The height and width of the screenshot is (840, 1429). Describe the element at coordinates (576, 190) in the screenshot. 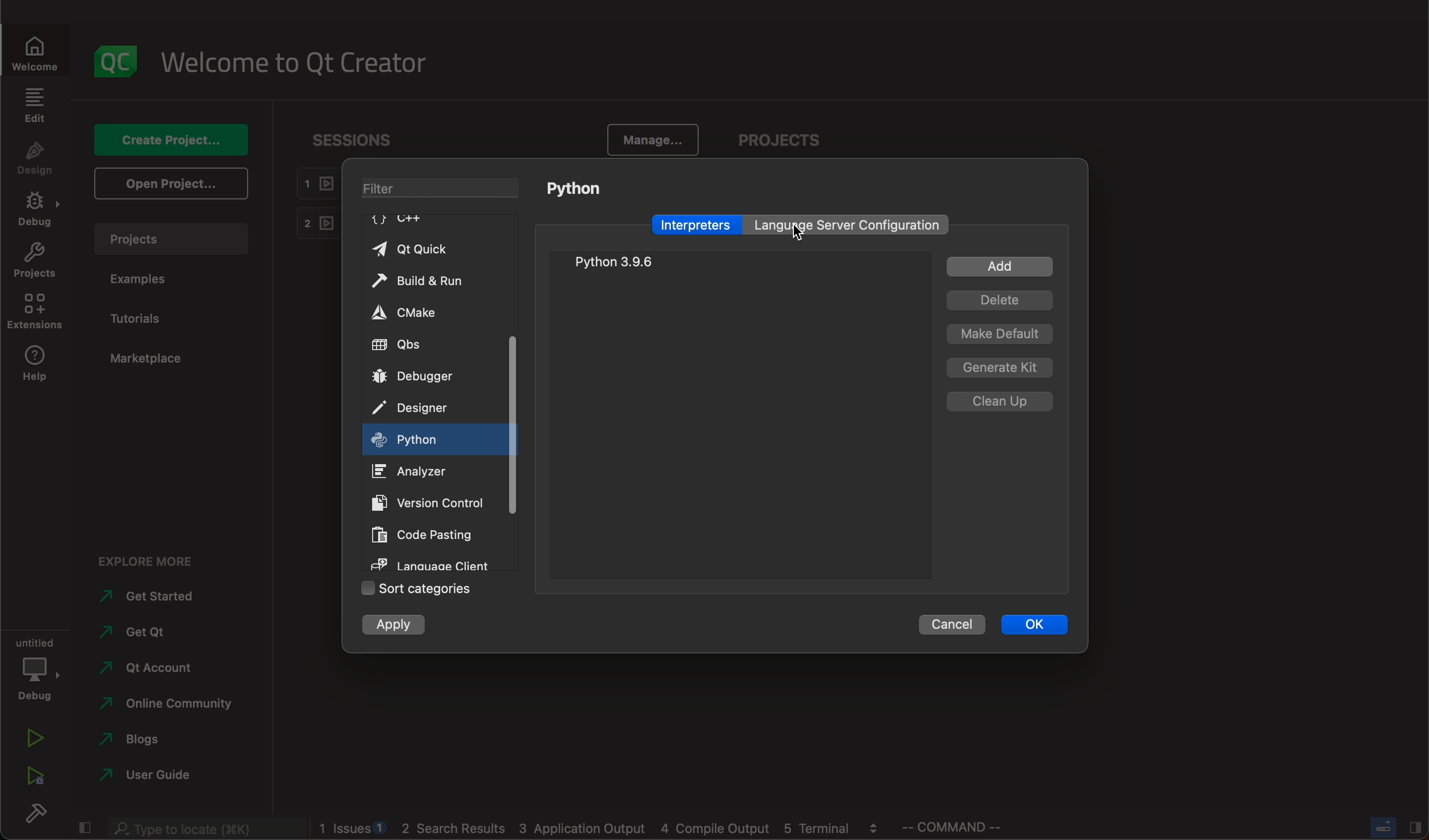

I see `python` at that location.